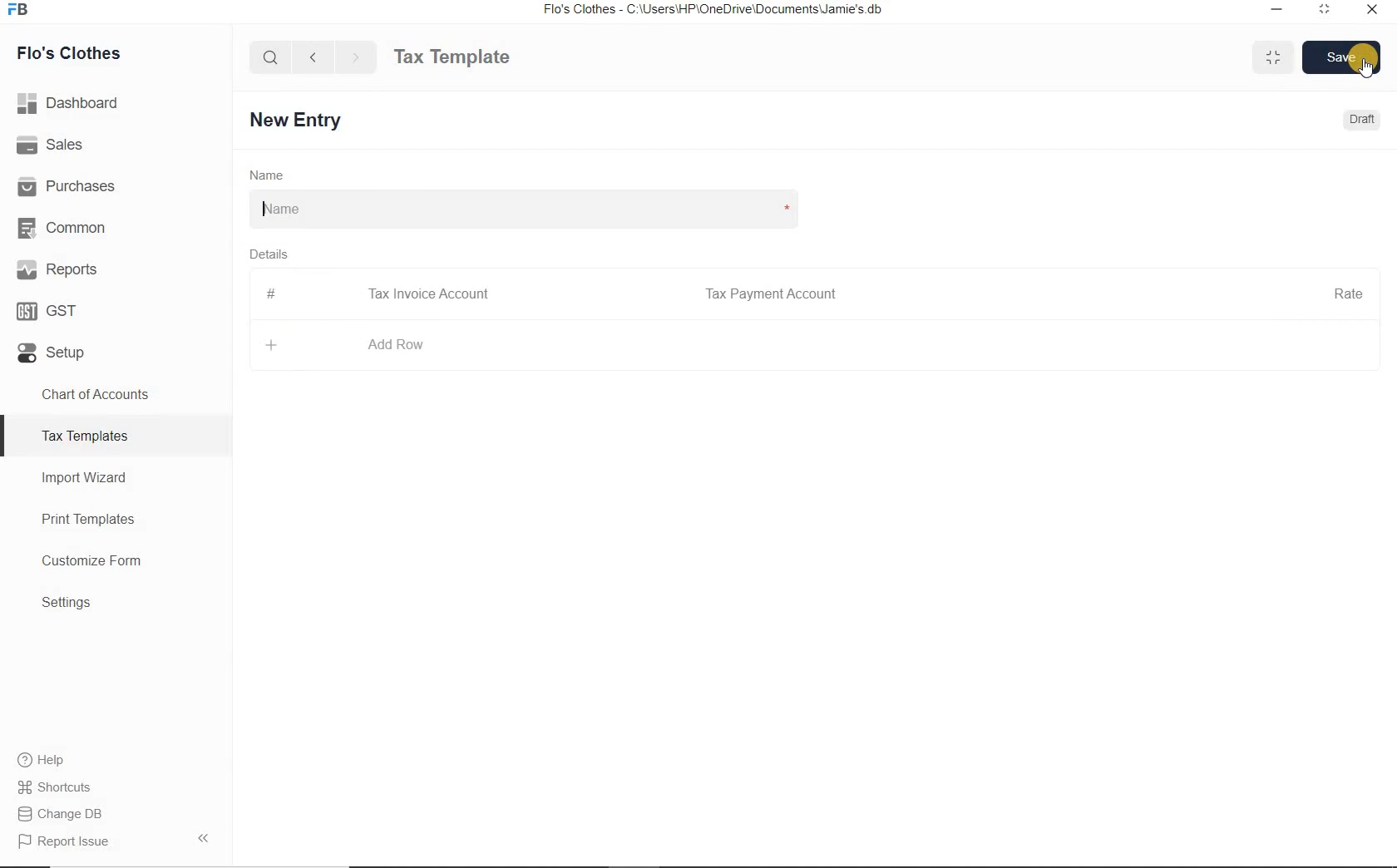 This screenshot has height=868, width=1397. What do you see at coordinates (769, 294) in the screenshot?
I see `Tax Payment Account` at bounding box center [769, 294].